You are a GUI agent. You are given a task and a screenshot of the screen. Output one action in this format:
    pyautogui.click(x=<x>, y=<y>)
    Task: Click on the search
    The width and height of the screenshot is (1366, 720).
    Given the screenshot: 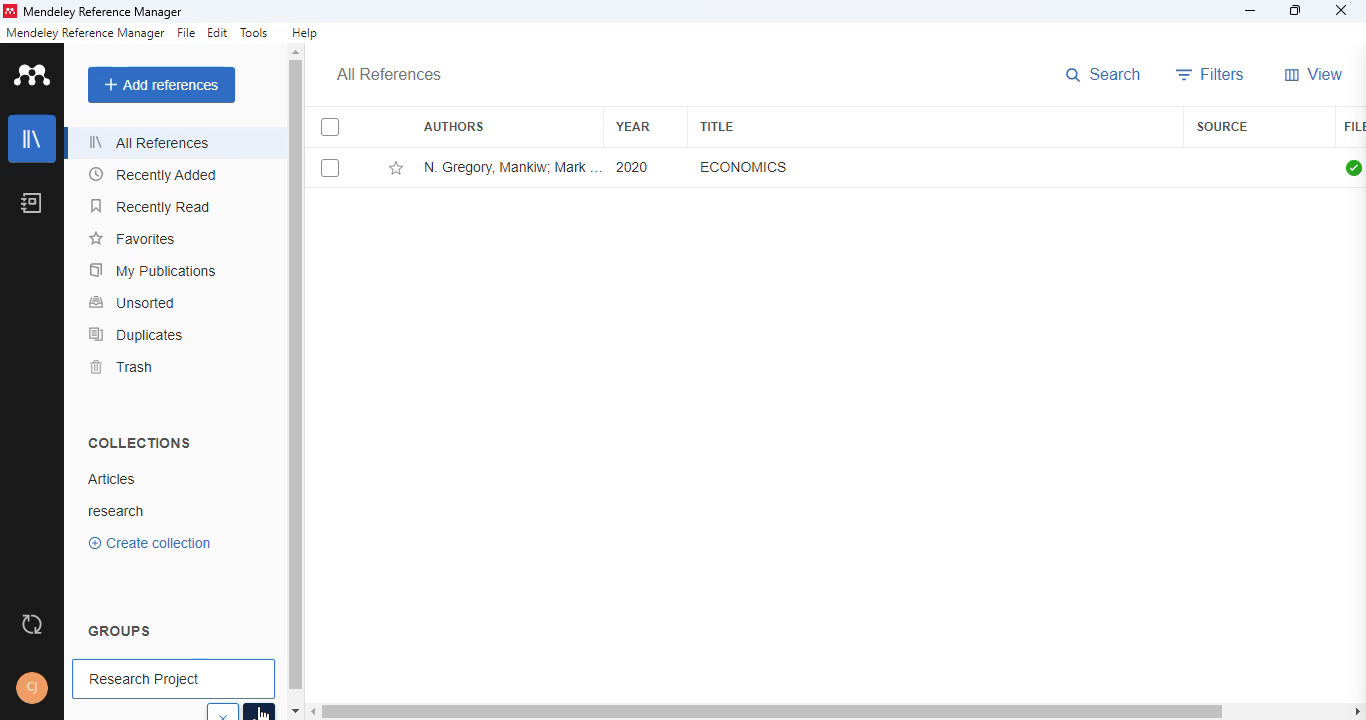 What is the action you would take?
    pyautogui.click(x=1103, y=75)
    